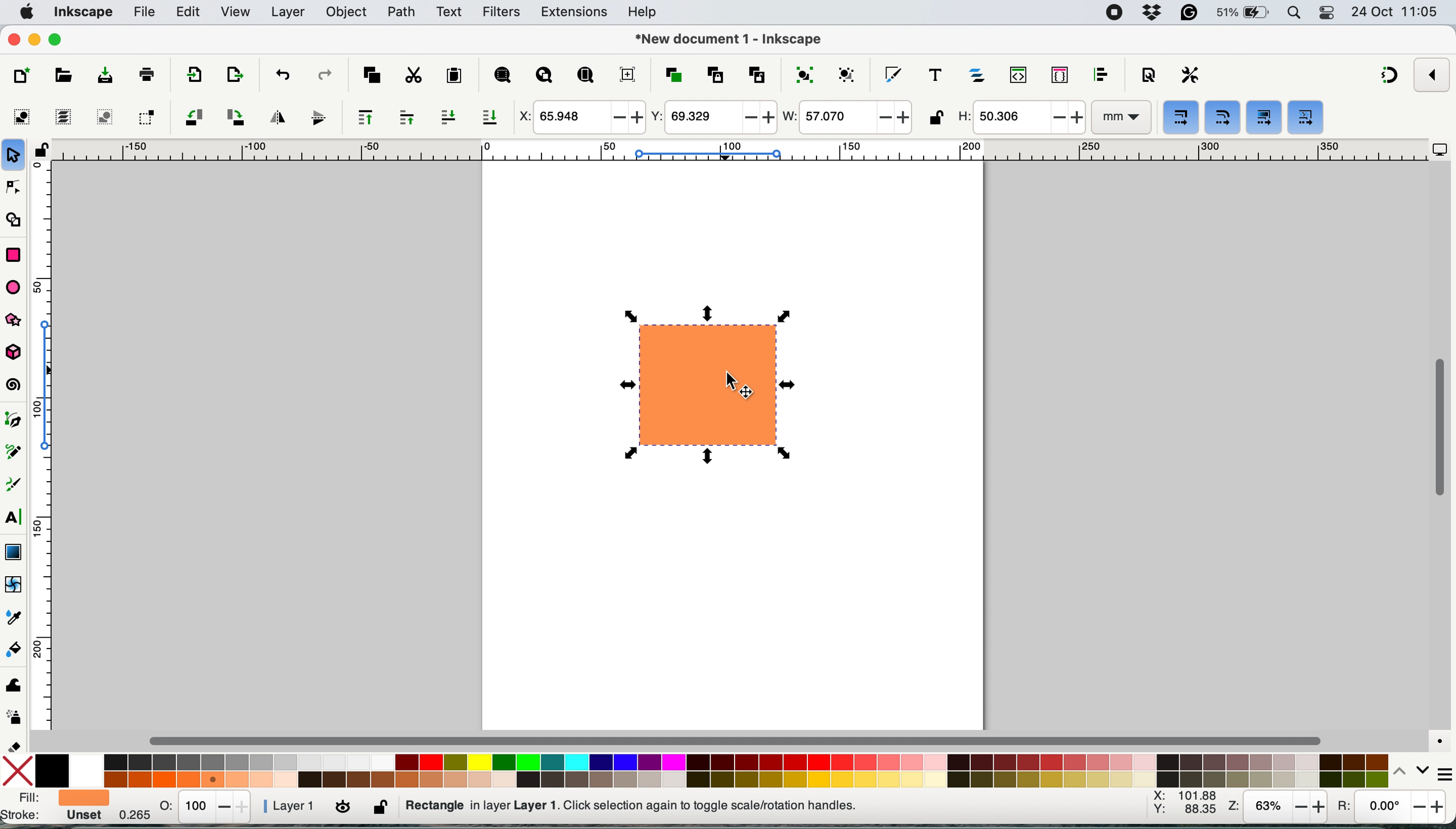 Image resolution: width=1456 pixels, height=829 pixels. Describe the element at coordinates (13, 683) in the screenshot. I see `tweak tool` at that location.